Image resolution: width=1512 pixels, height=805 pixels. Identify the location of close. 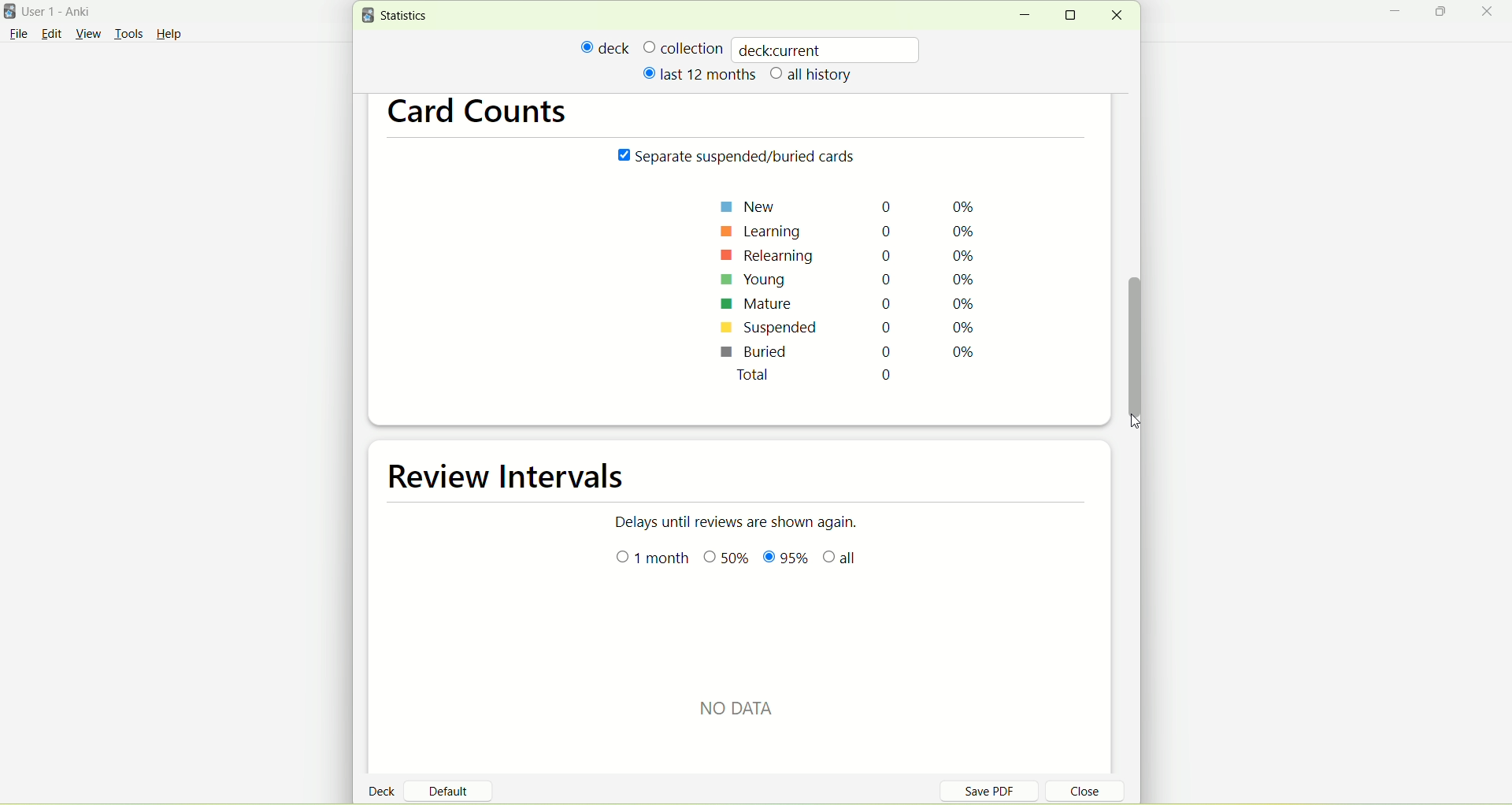
(1490, 13).